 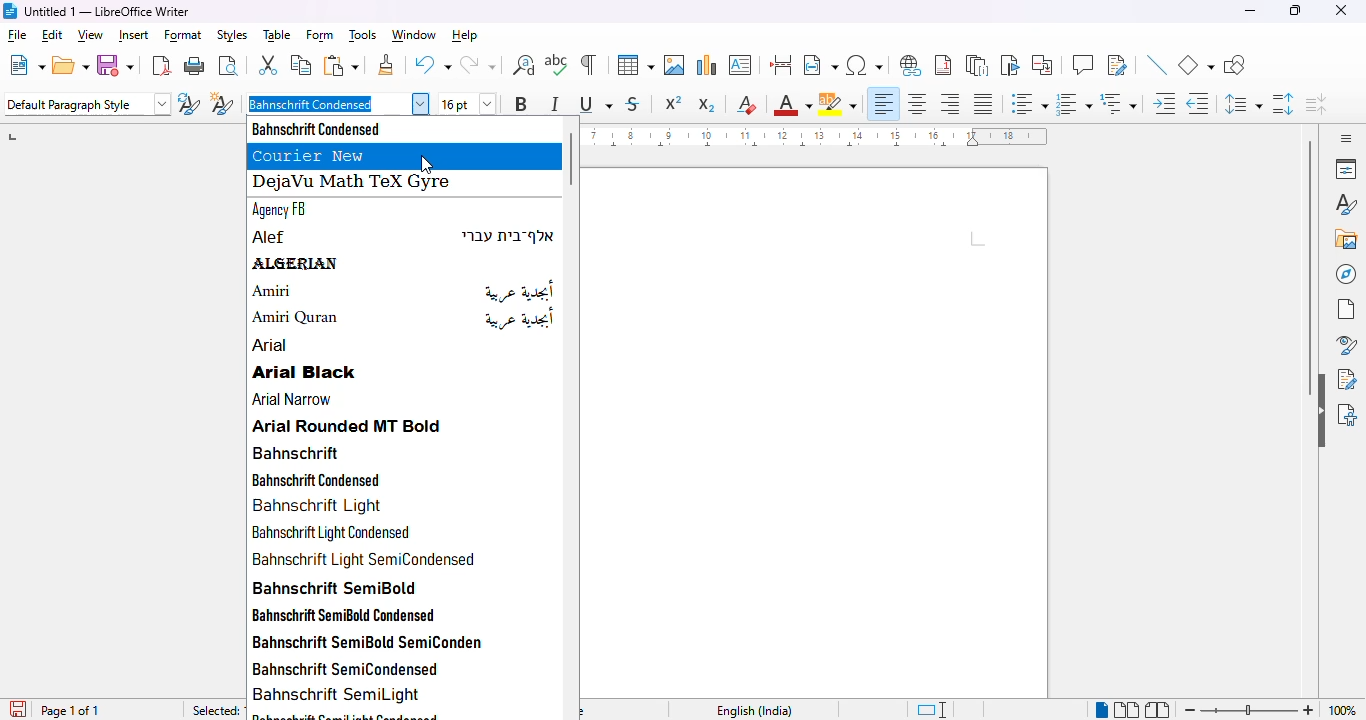 I want to click on show track changes functions, so click(x=1118, y=65).